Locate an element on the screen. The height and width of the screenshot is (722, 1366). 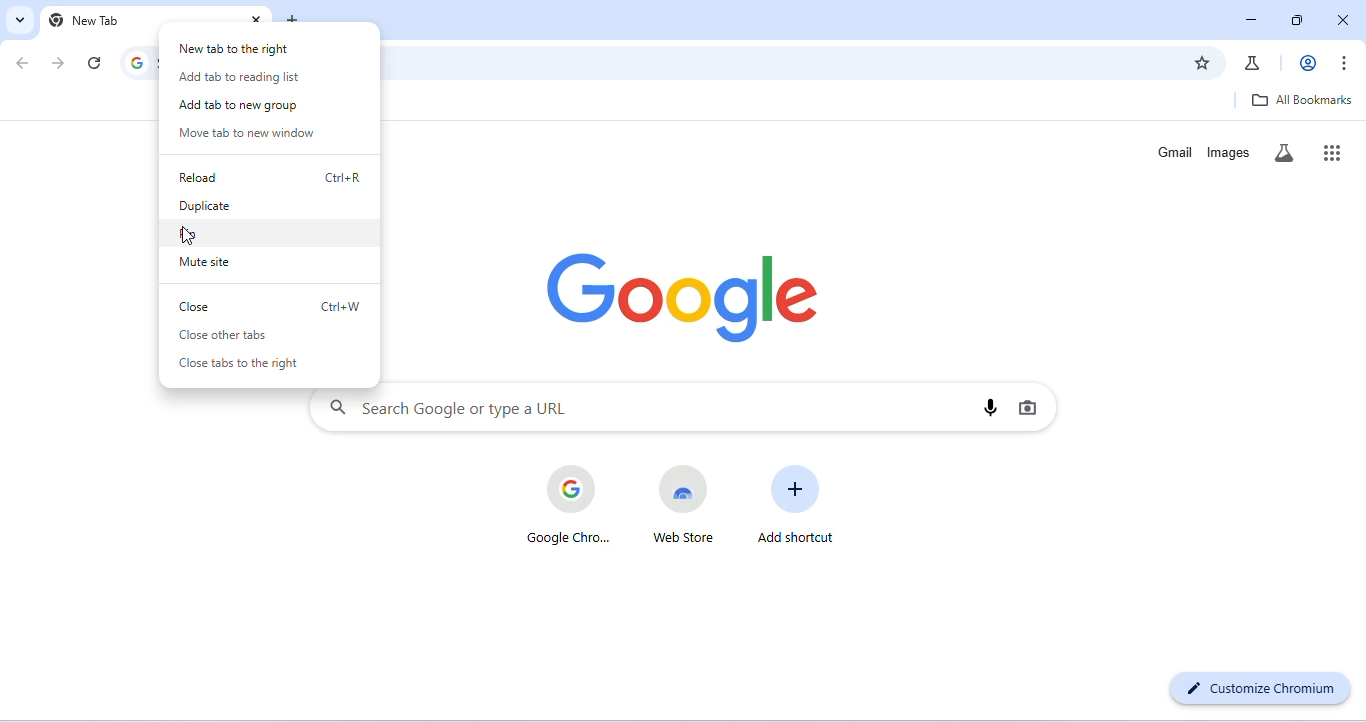
add tab to new group is located at coordinates (240, 106).